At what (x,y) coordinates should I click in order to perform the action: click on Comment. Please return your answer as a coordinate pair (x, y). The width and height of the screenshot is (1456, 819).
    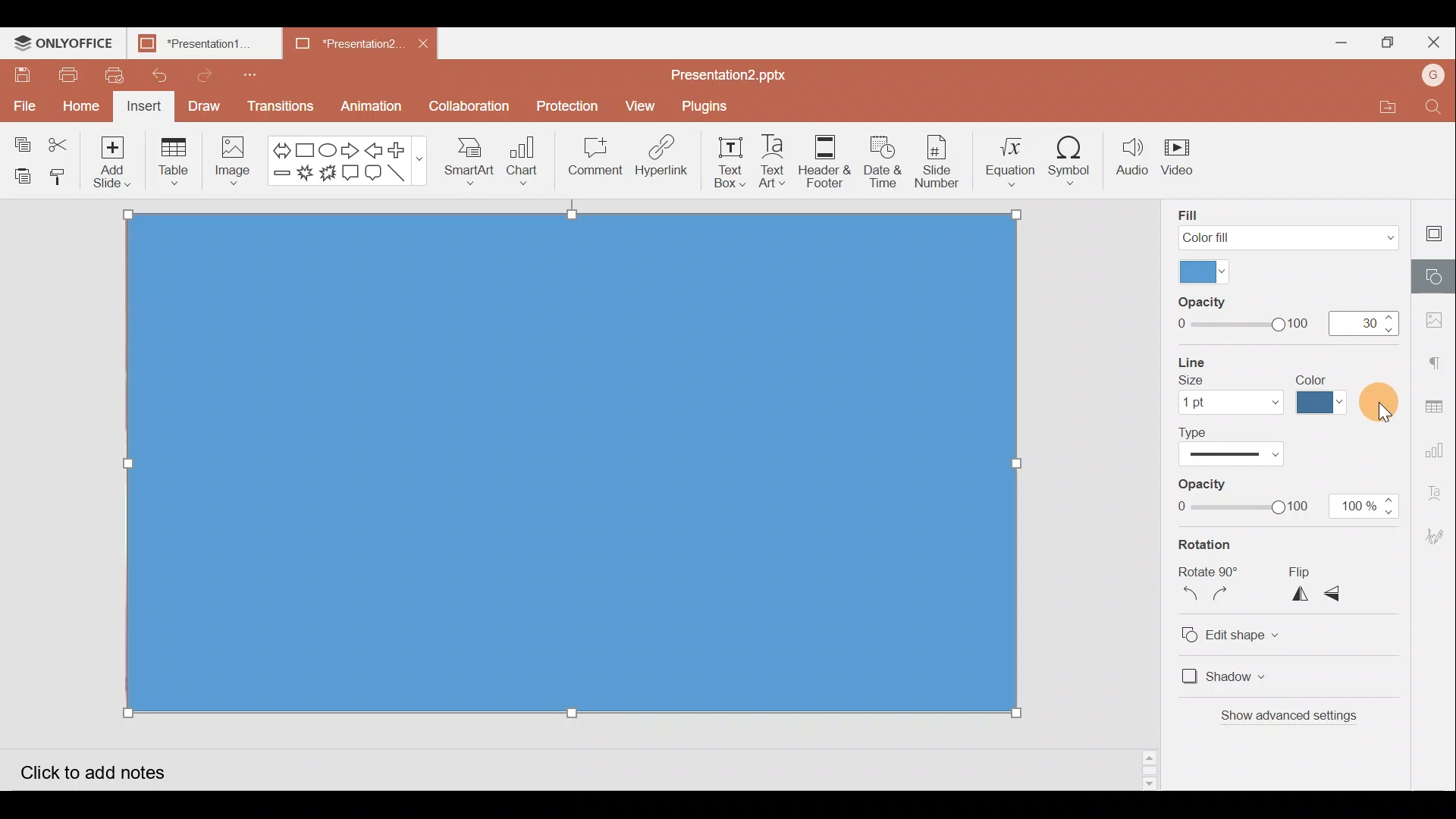
    Looking at the image, I should click on (596, 157).